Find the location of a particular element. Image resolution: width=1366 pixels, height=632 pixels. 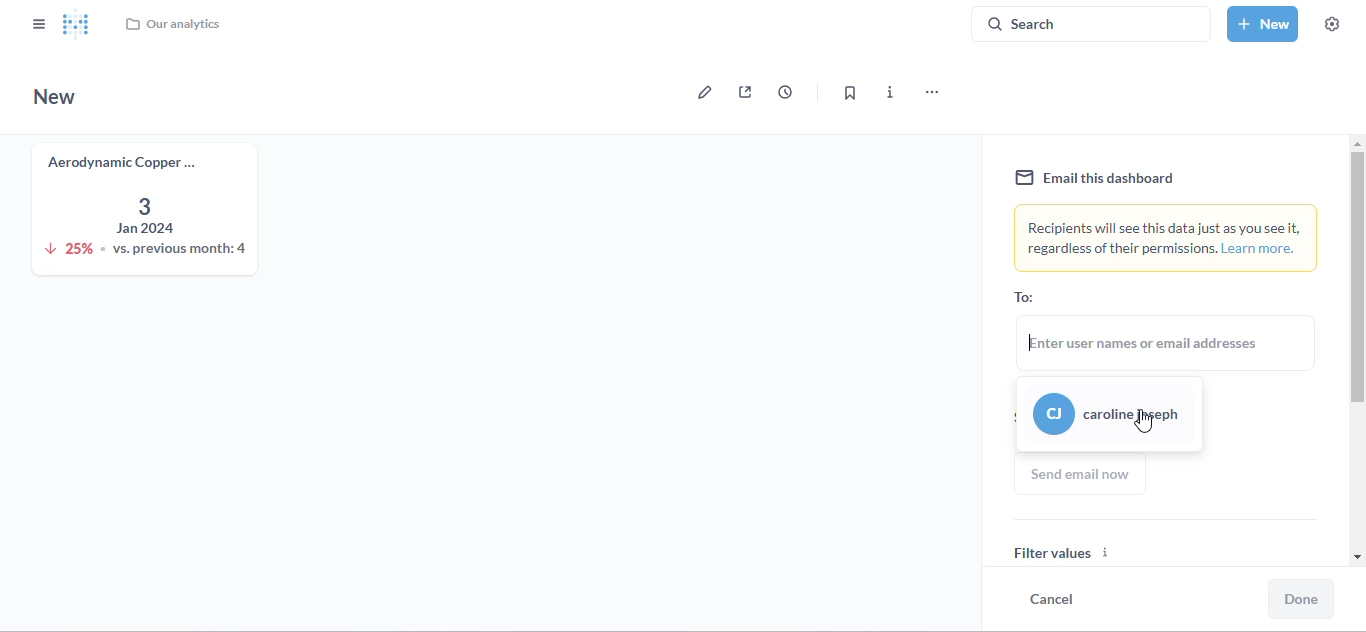

new is located at coordinates (55, 96).